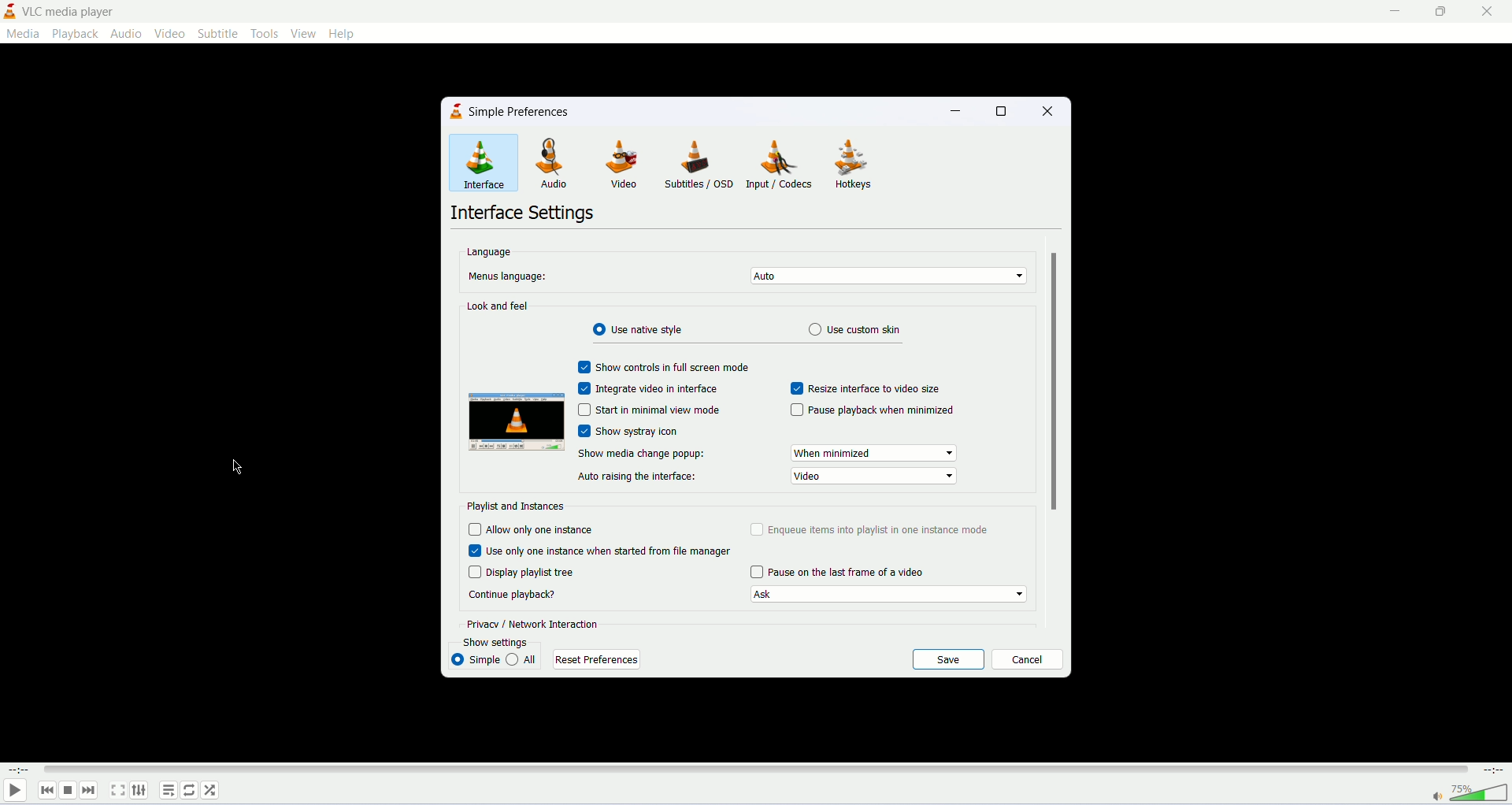 The height and width of the screenshot is (805, 1512). I want to click on tools, so click(263, 33).